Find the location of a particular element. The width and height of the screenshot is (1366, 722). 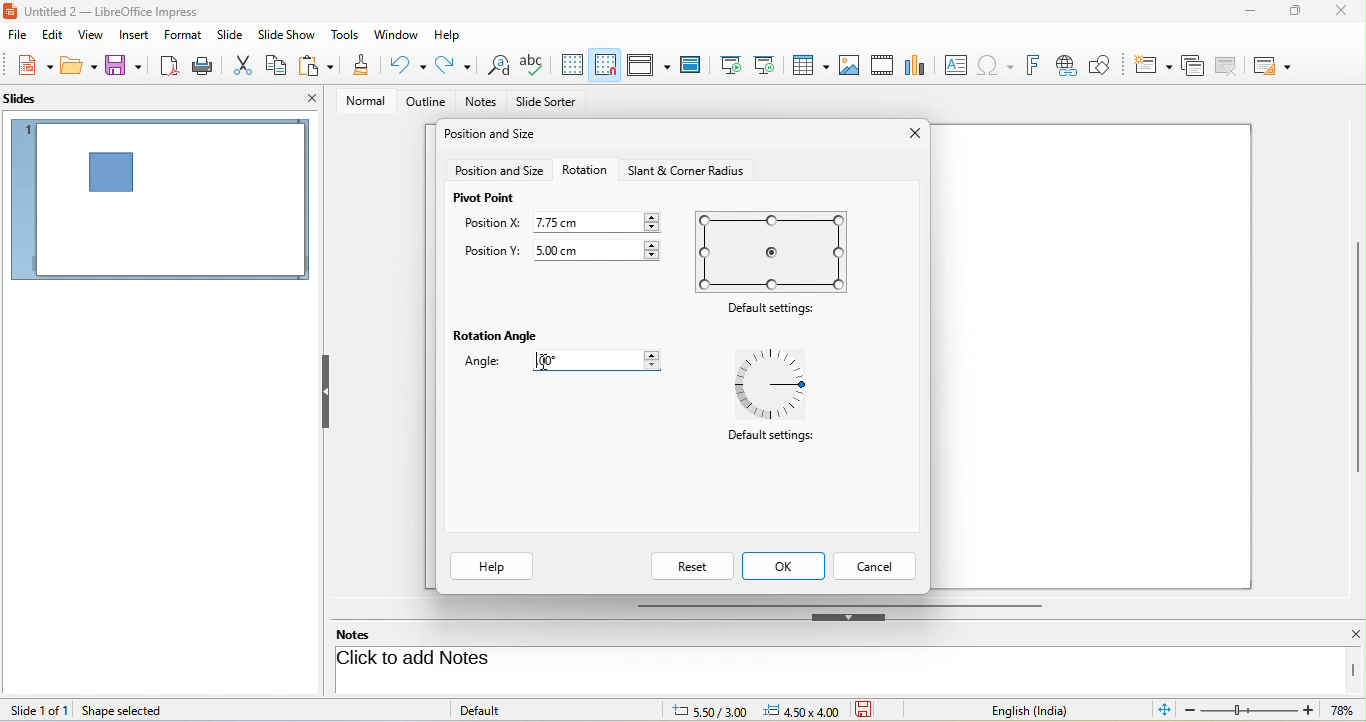

font work text is located at coordinates (1036, 63).